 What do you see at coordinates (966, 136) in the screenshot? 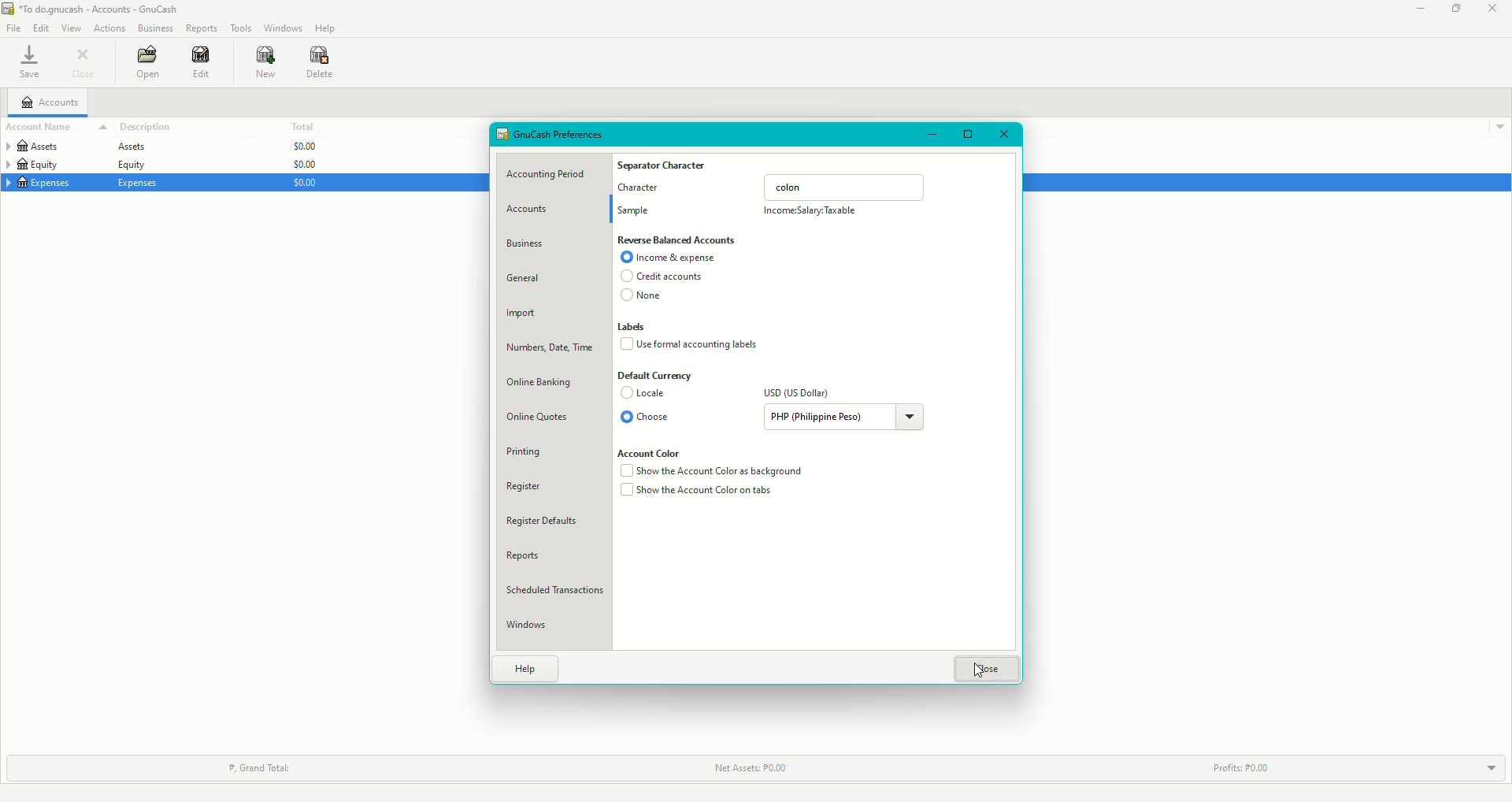
I see `Restore` at bounding box center [966, 136].